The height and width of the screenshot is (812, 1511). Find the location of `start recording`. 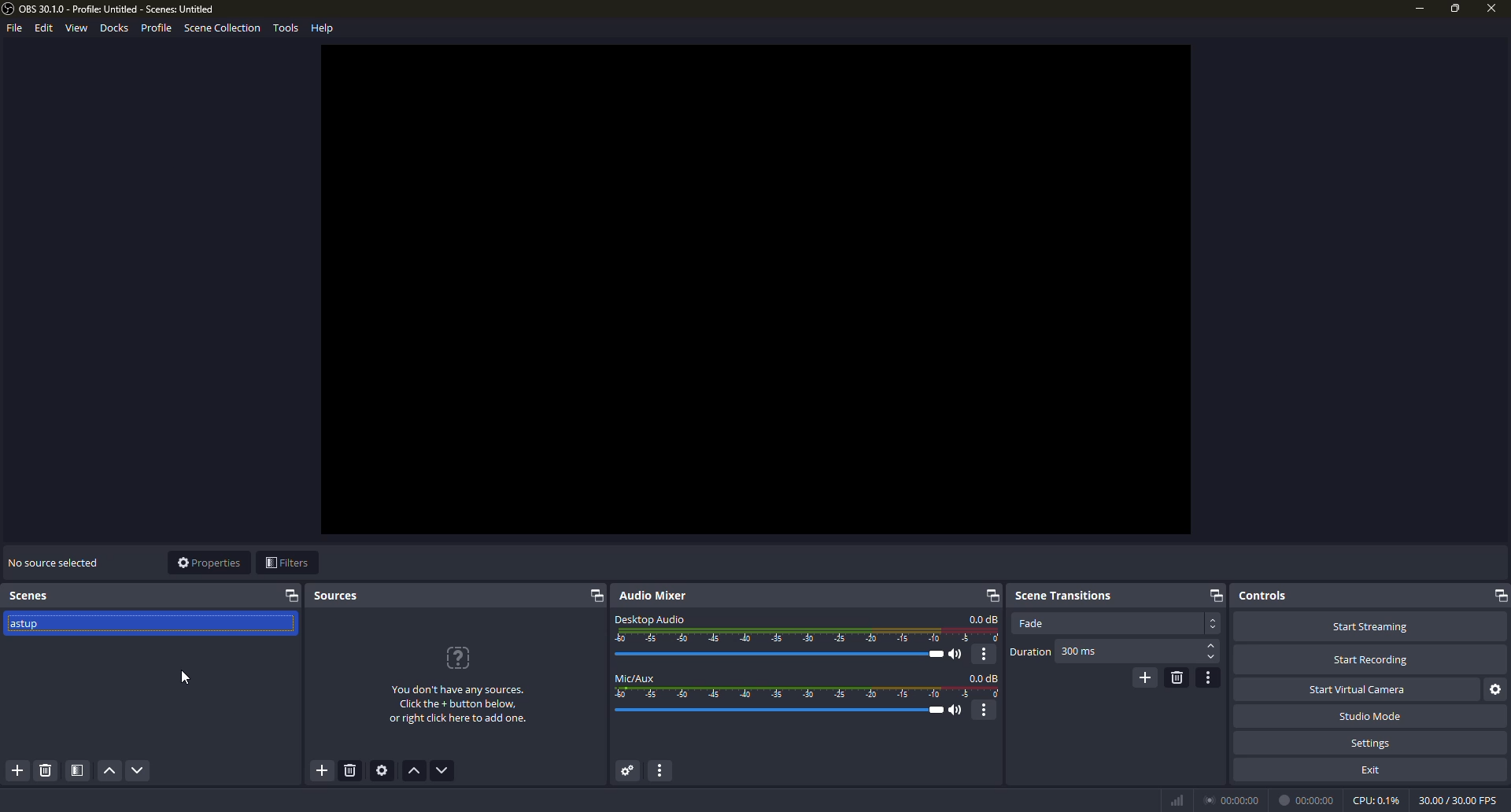

start recording is located at coordinates (1371, 660).